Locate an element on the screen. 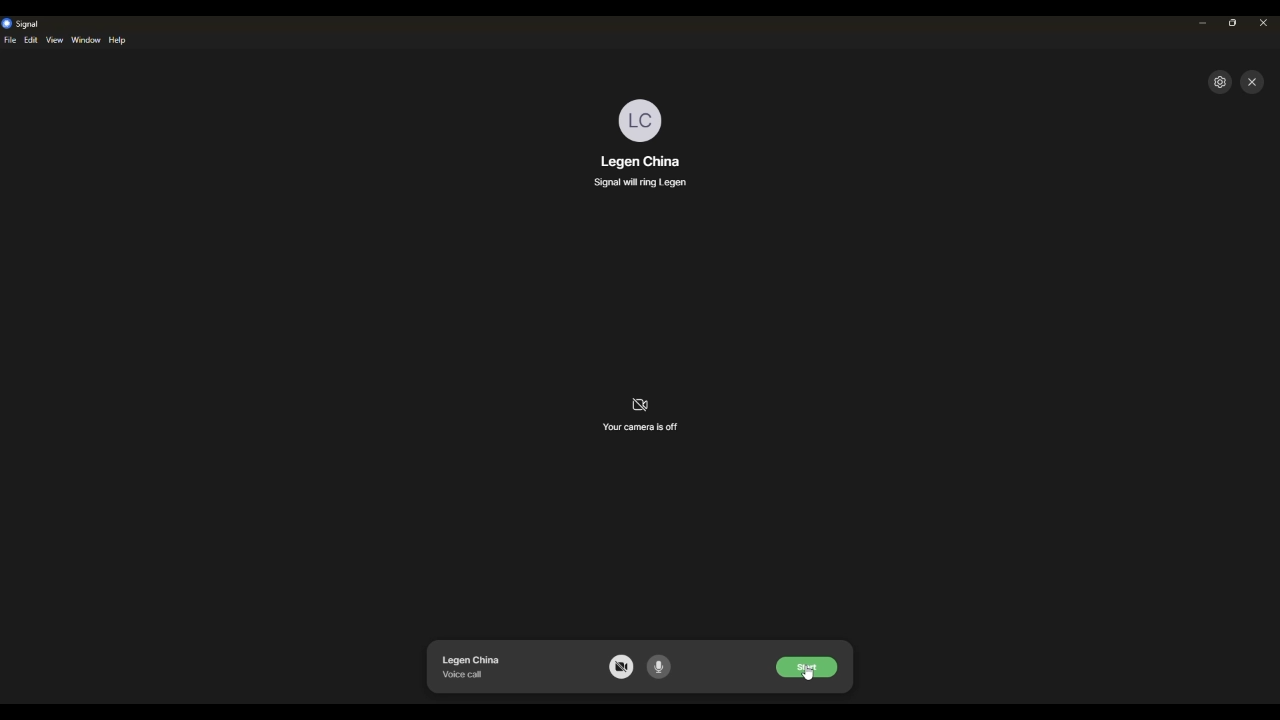  settings is located at coordinates (1221, 82).